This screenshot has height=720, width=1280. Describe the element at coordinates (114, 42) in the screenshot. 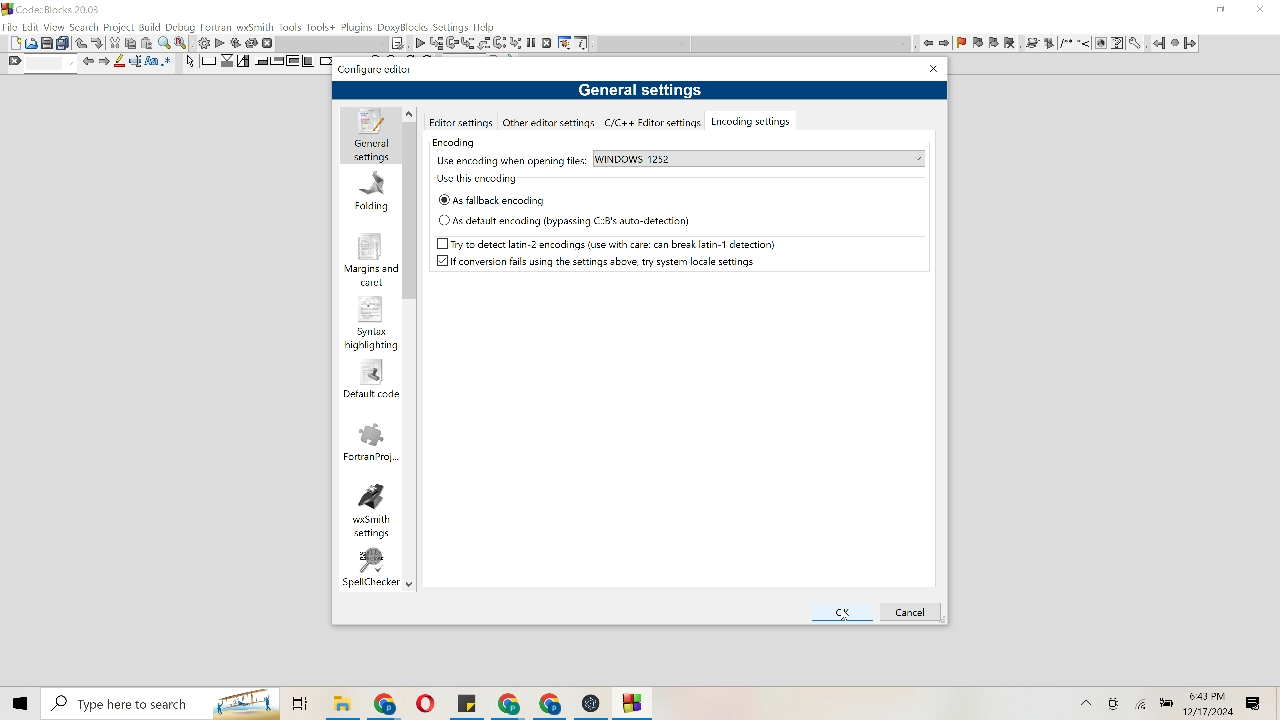

I see `Trim` at that location.